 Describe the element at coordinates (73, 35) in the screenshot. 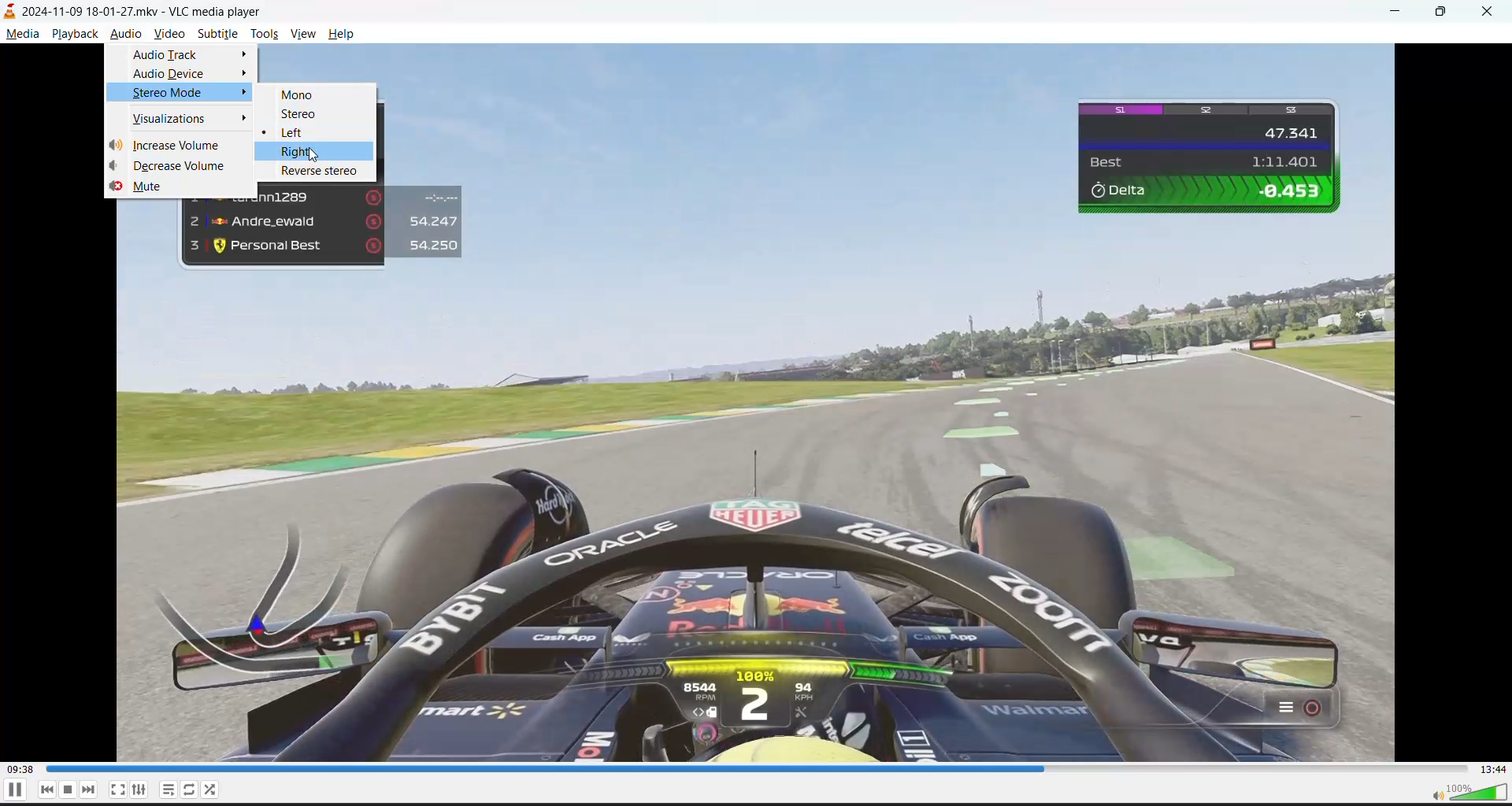

I see `playback` at that location.